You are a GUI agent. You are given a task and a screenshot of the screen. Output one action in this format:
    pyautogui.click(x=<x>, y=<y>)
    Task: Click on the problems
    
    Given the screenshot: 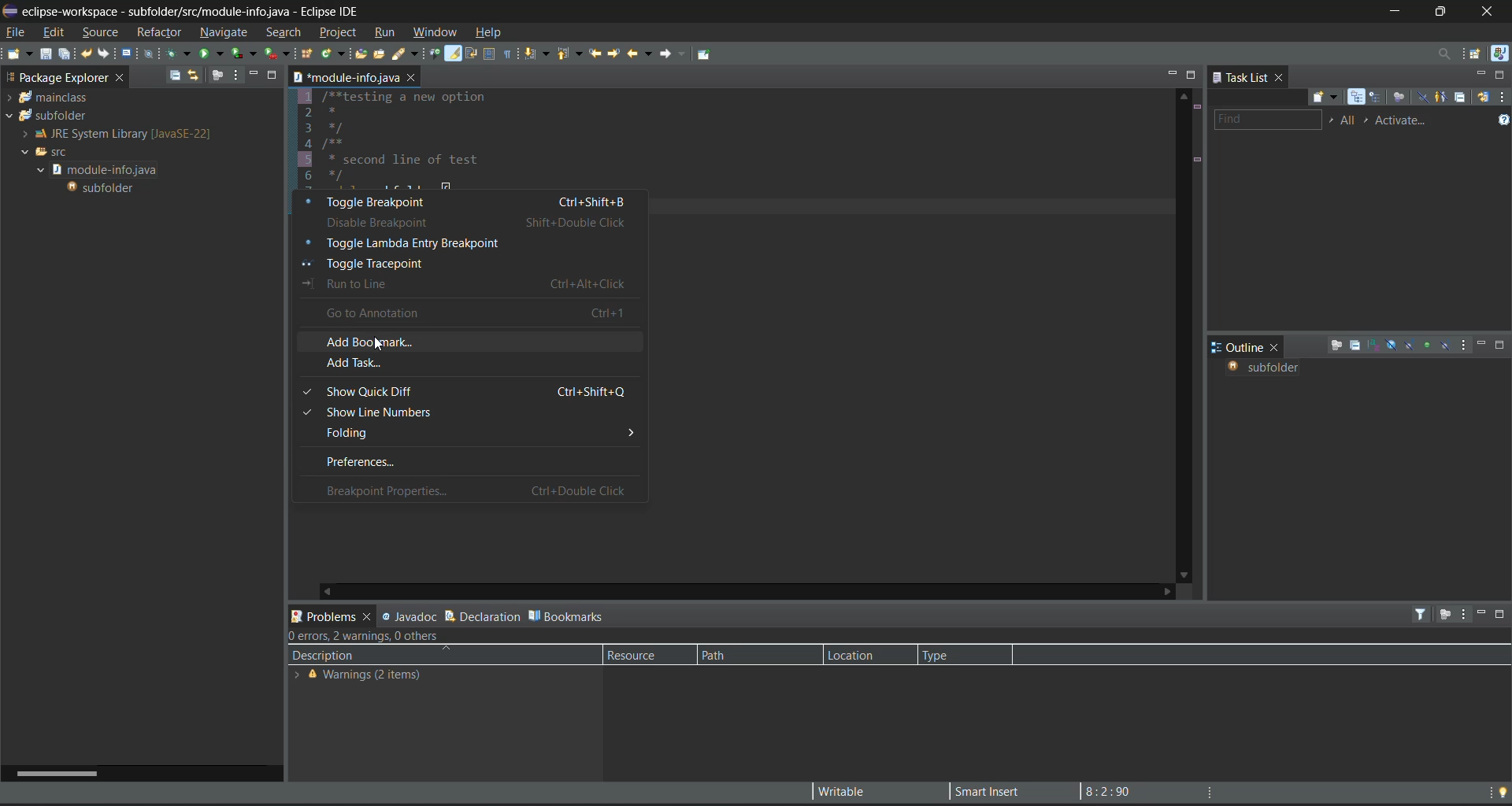 What is the action you would take?
    pyautogui.click(x=332, y=615)
    